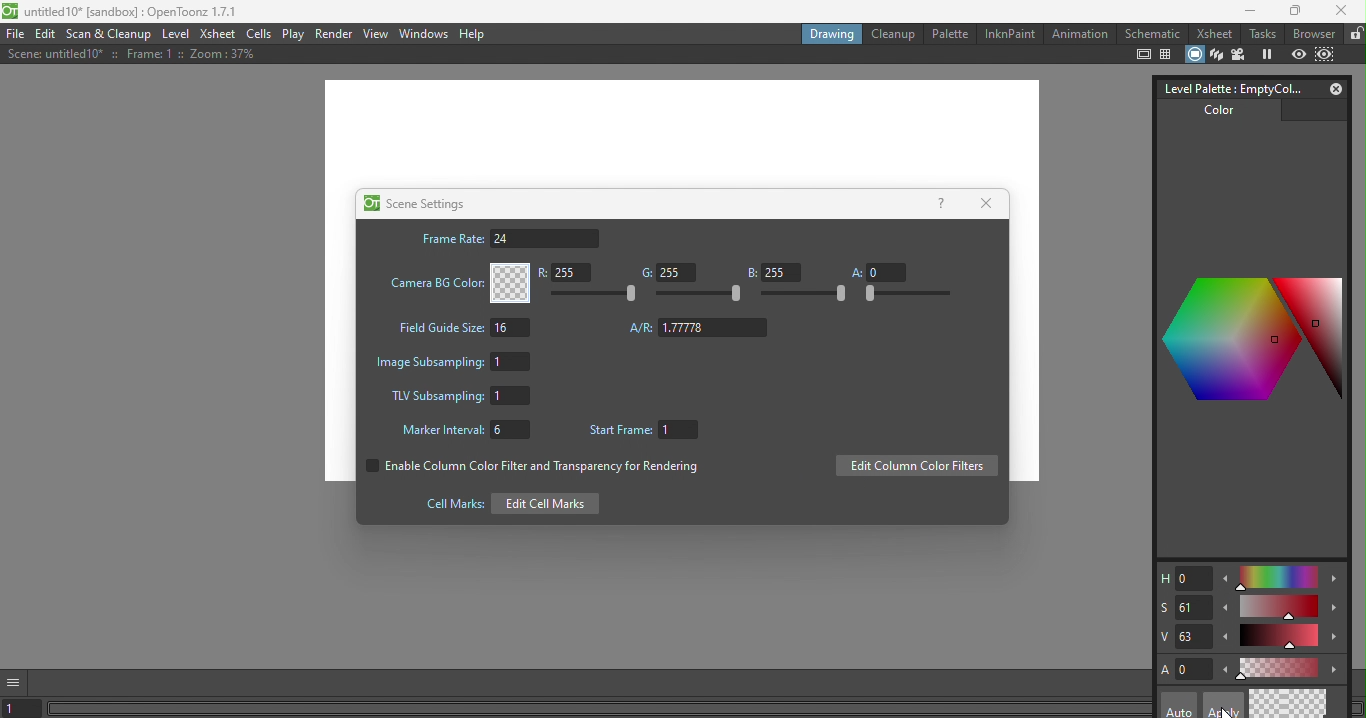 The height and width of the screenshot is (718, 1366). What do you see at coordinates (460, 432) in the screenshot?
I see `Marker Interval` at bounding box center [460, 432].